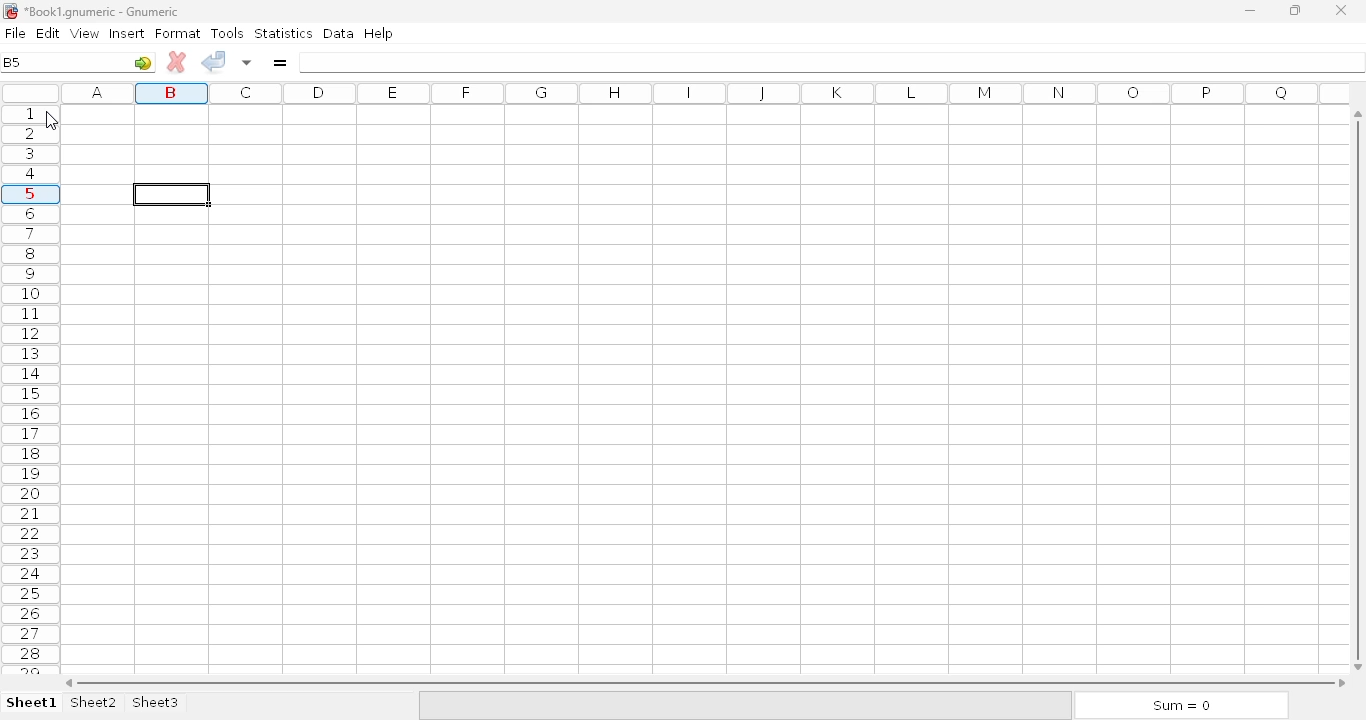 This screenshot has height=720, width=1366. I want to click on rows, so click(32, 389).